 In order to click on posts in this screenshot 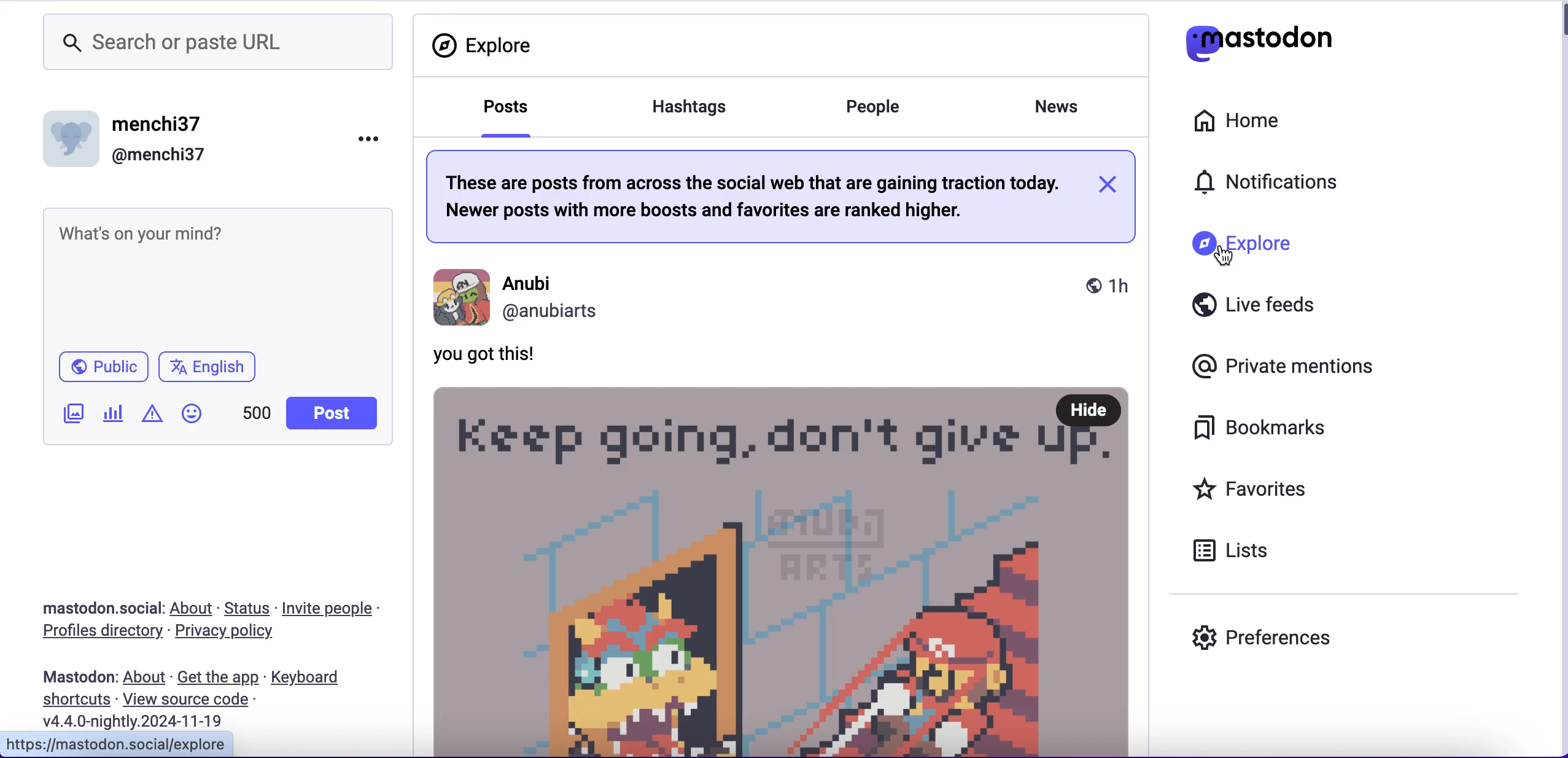, I will do `click(506, 111)`.